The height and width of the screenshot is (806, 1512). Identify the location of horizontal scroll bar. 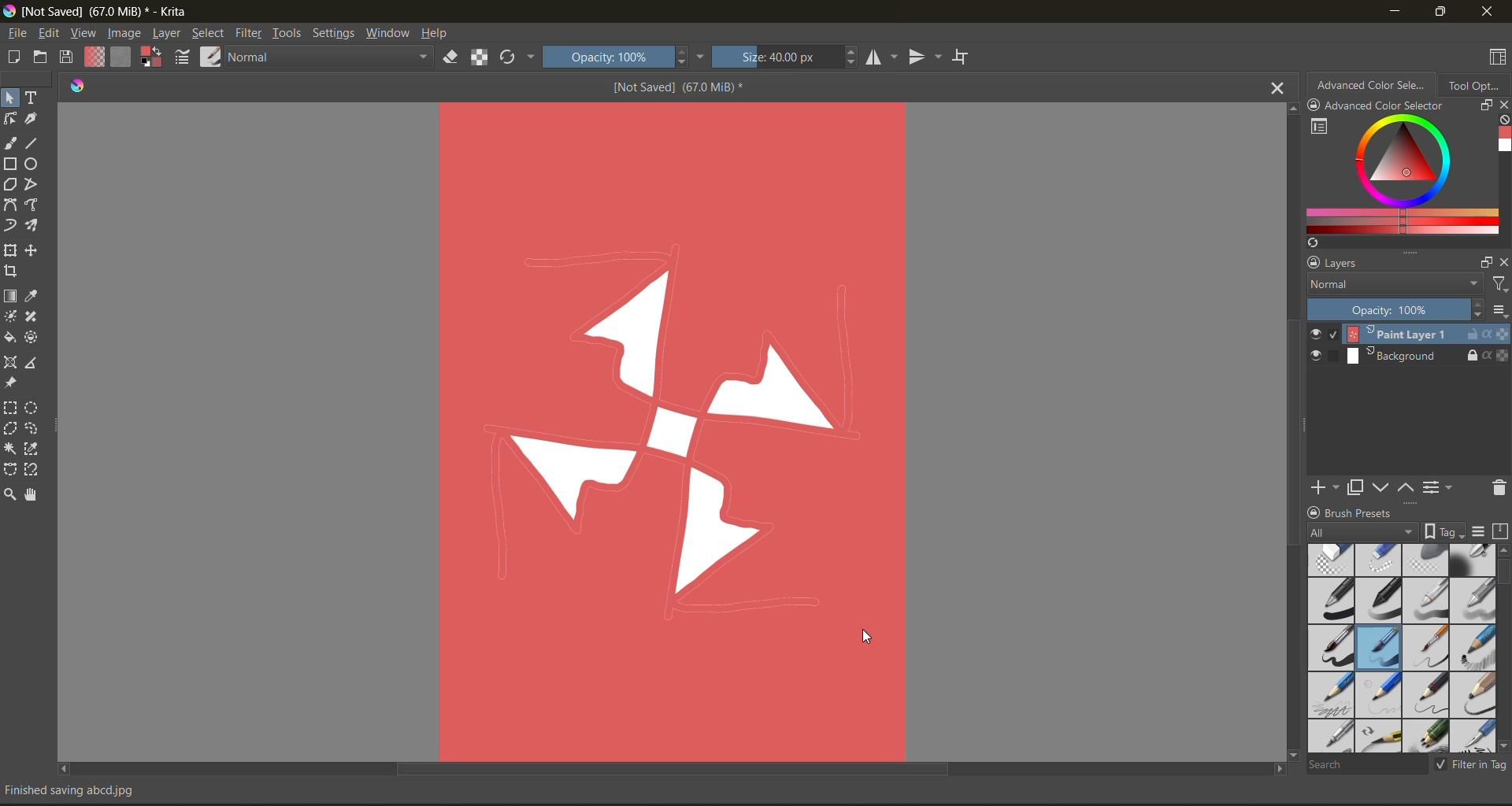
(676, 768).